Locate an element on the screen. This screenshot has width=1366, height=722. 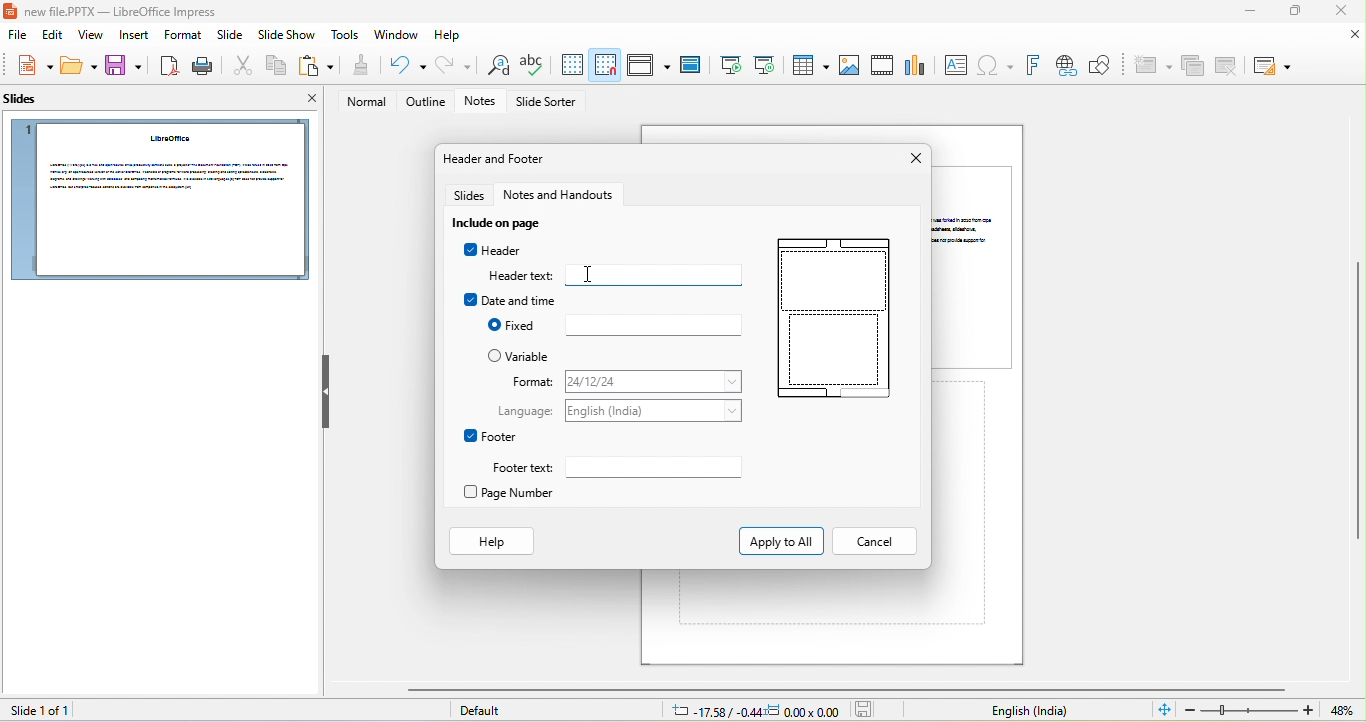
notes and handouts is located at coordinates (567, 196).